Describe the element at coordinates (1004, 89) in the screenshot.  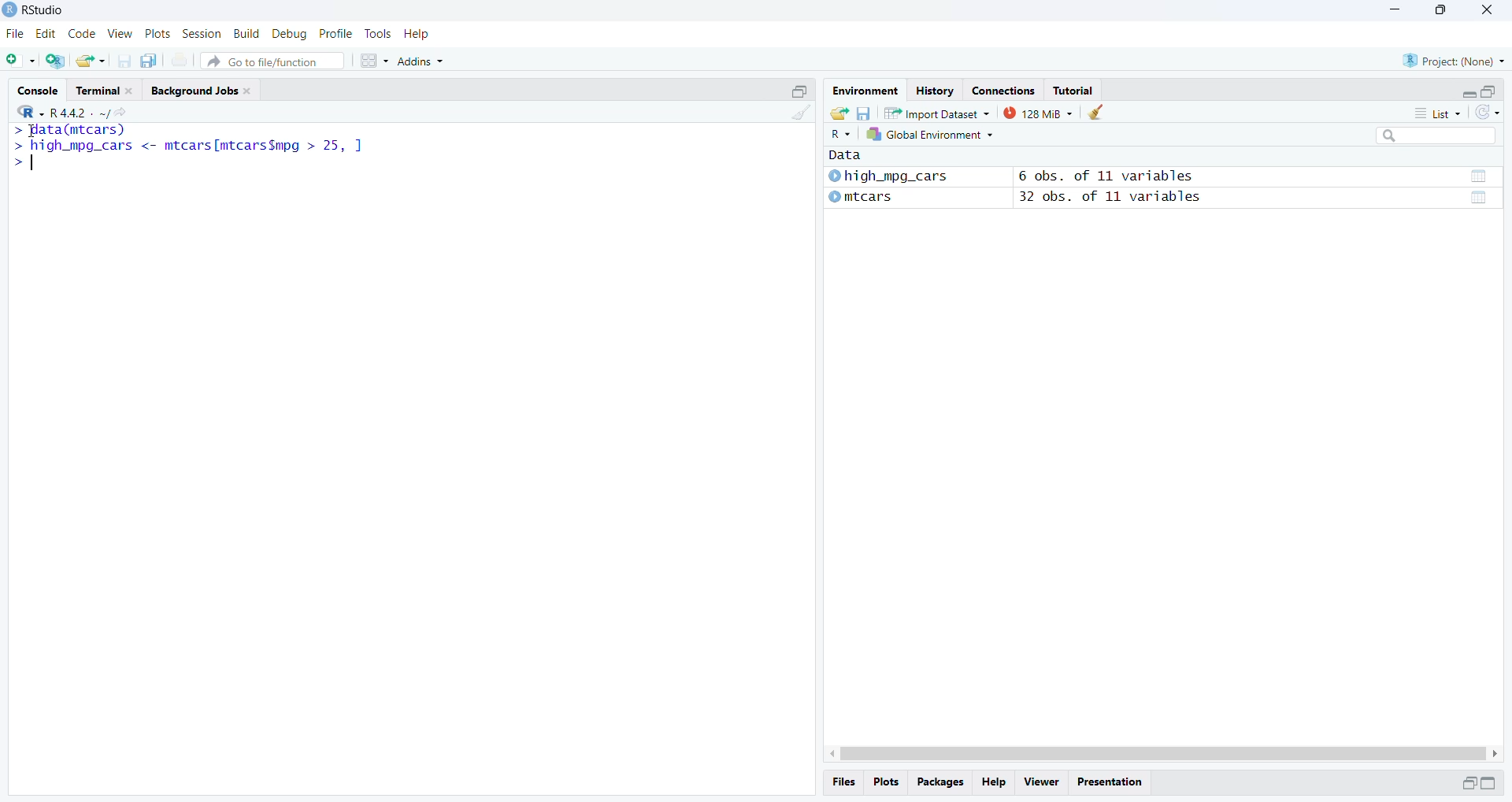
I see `Connections` at that location.